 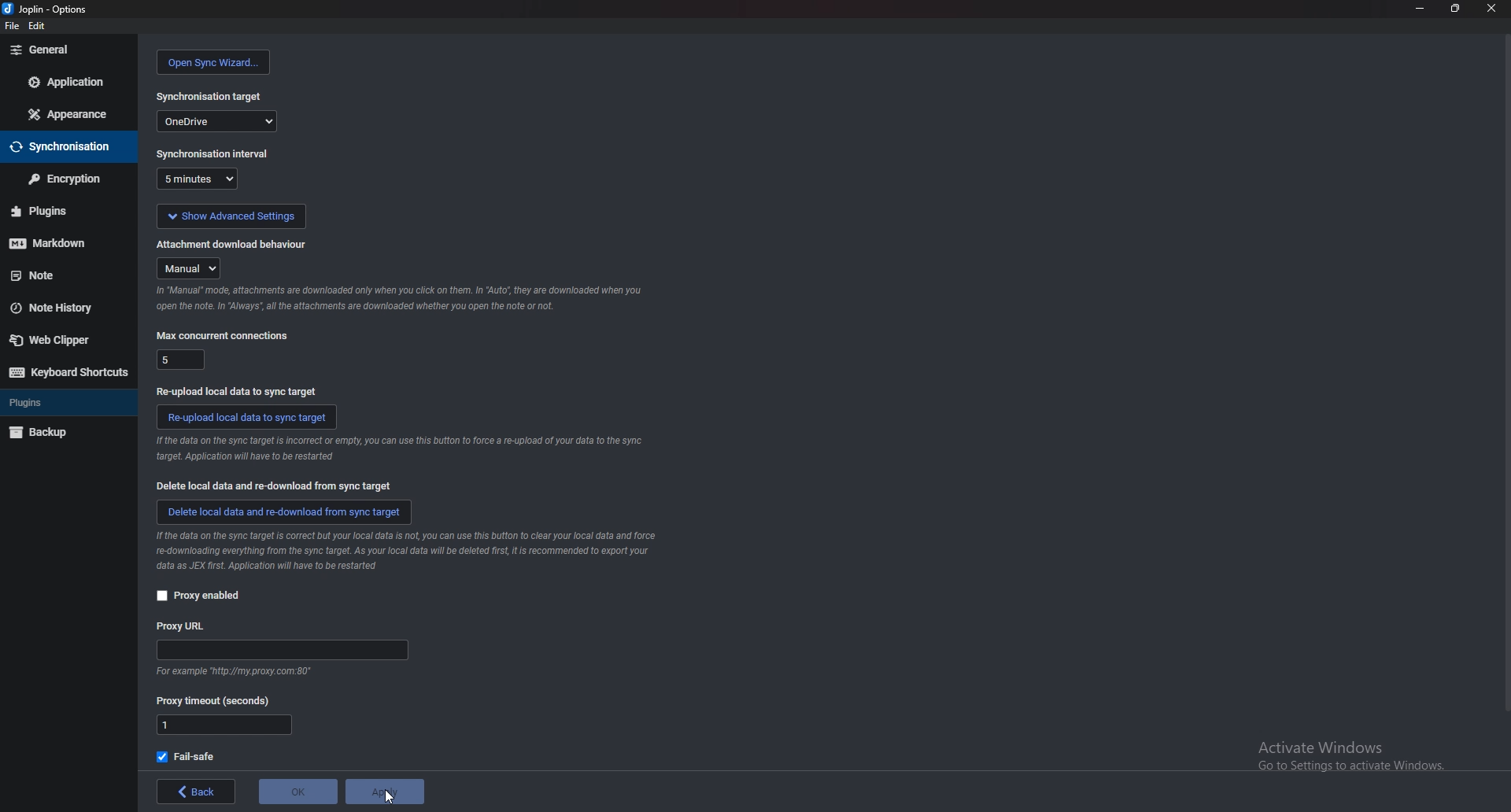 What do you see at coordinates (231, 244) in the screenshot?
I see `attachment download behaviour` at bounding box center [231, 244].